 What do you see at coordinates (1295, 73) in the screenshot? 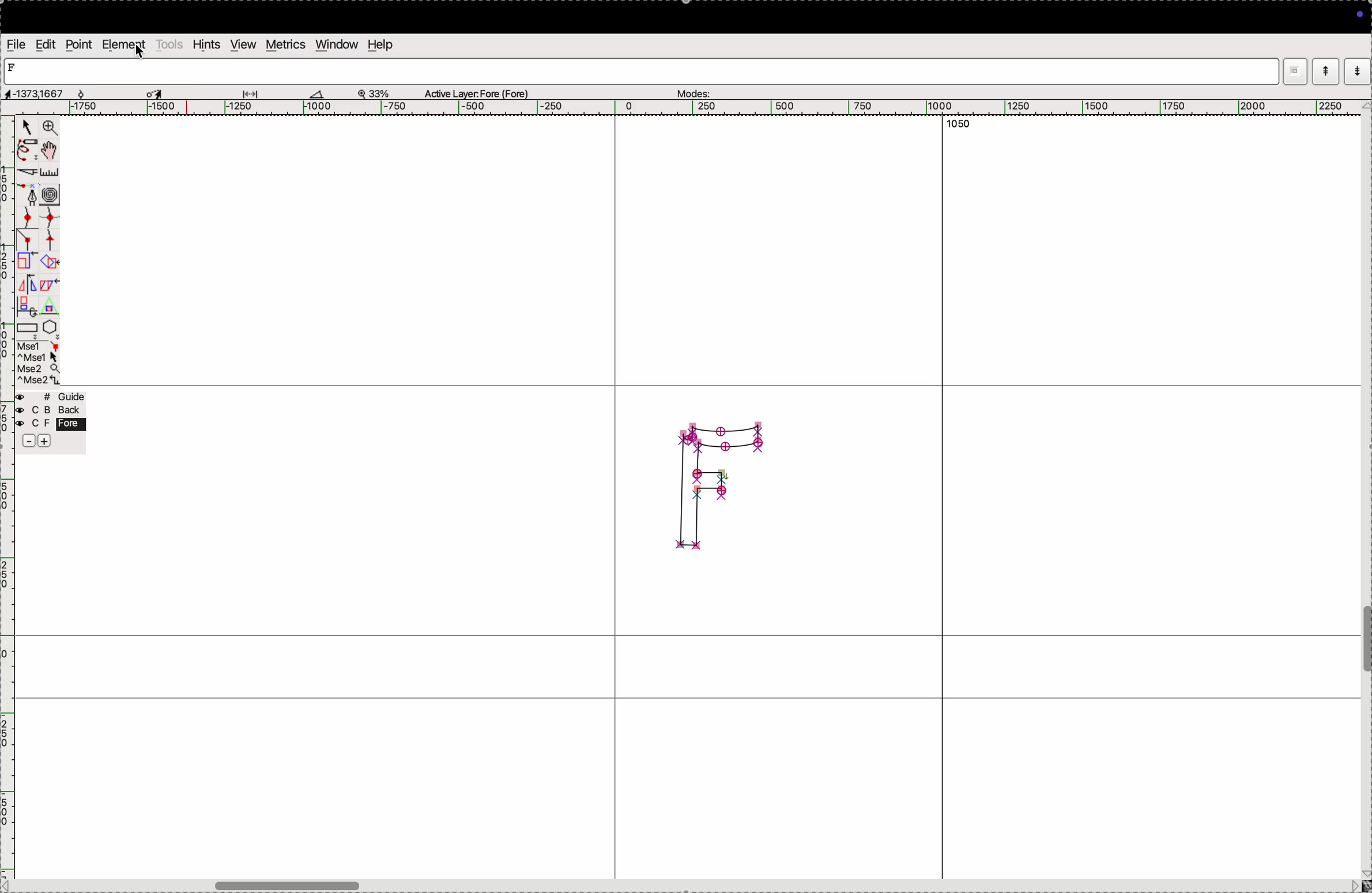
I see `window mode` at bounding box center [1295, 73].